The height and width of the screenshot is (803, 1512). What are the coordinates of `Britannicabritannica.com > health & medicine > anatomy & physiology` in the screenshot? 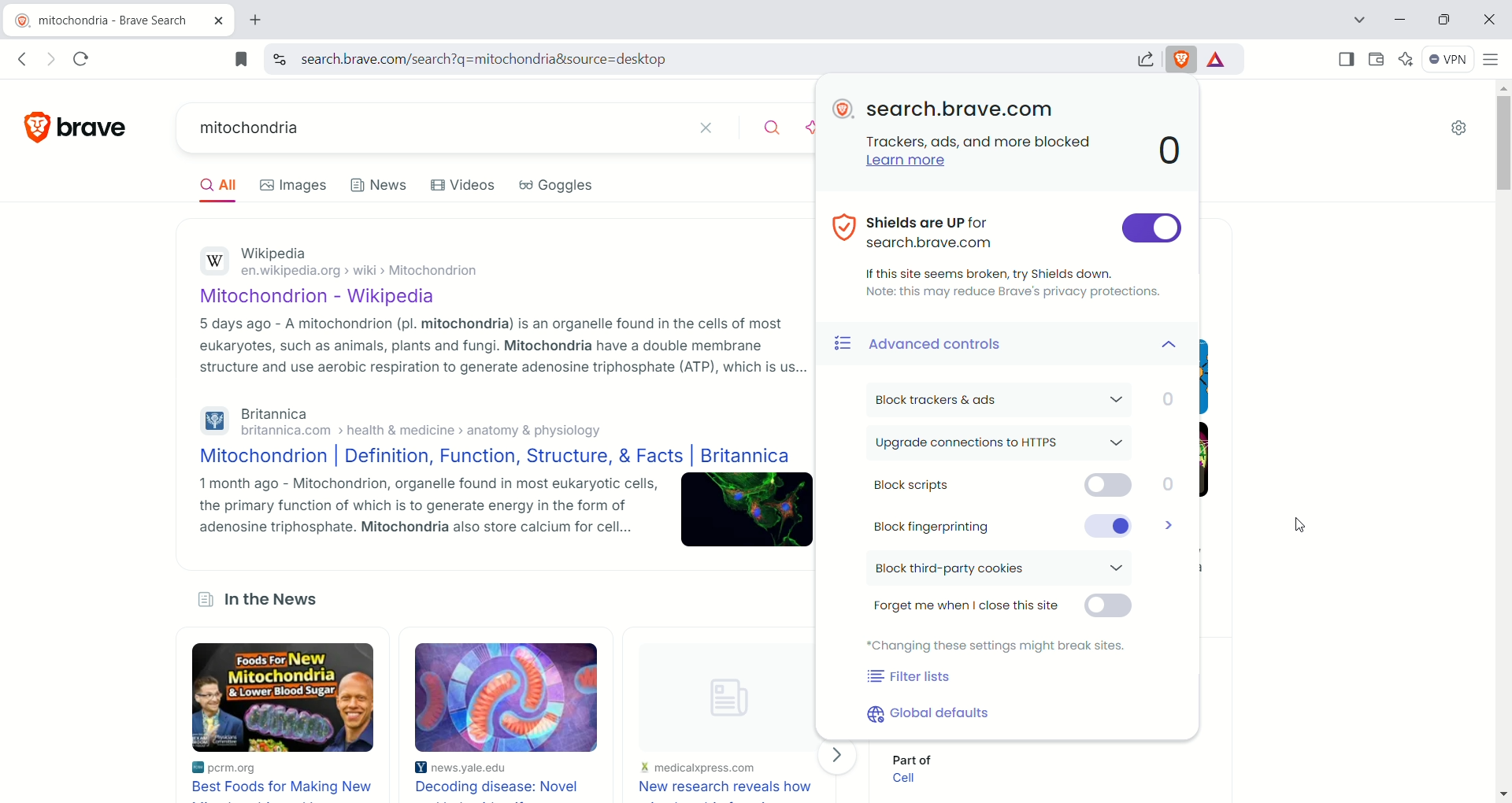 It's located at (433, 422).